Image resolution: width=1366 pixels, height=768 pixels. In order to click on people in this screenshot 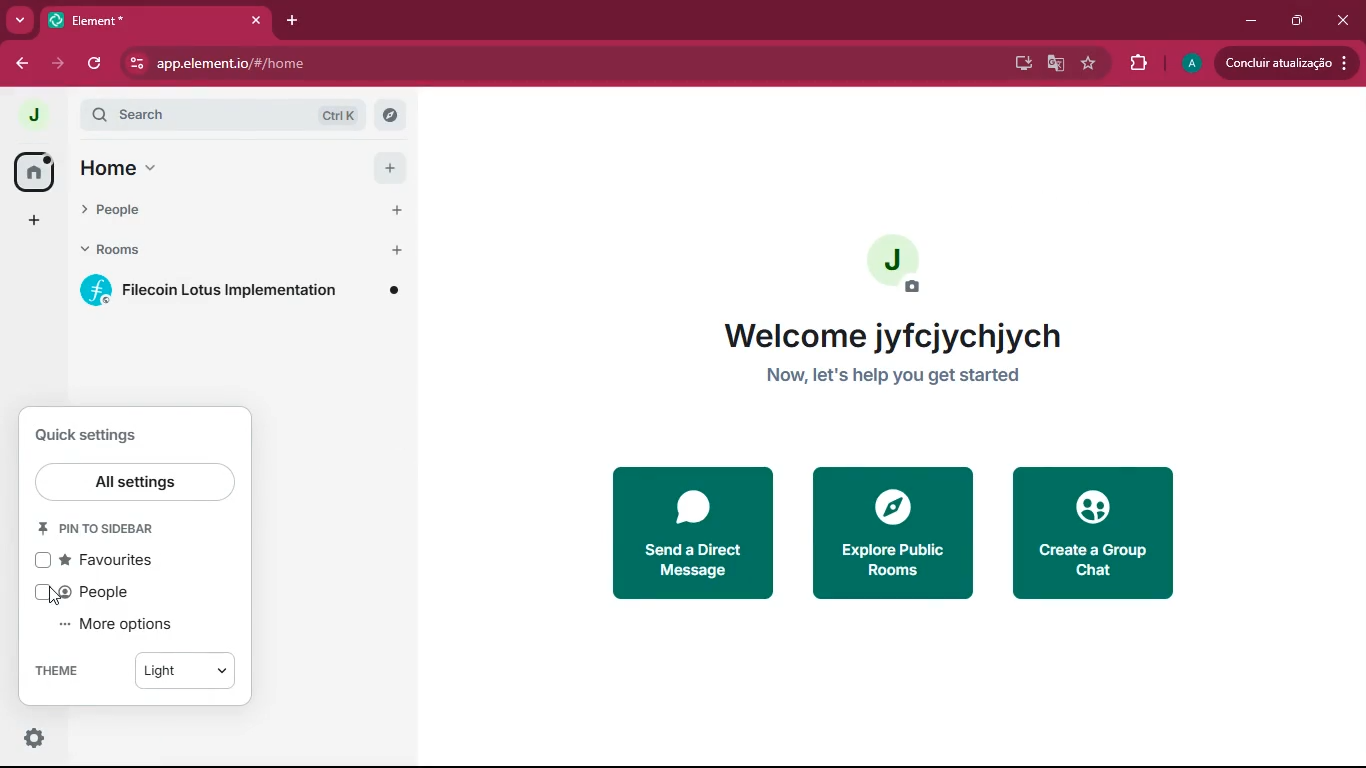, I will do `click(215, 212)`.